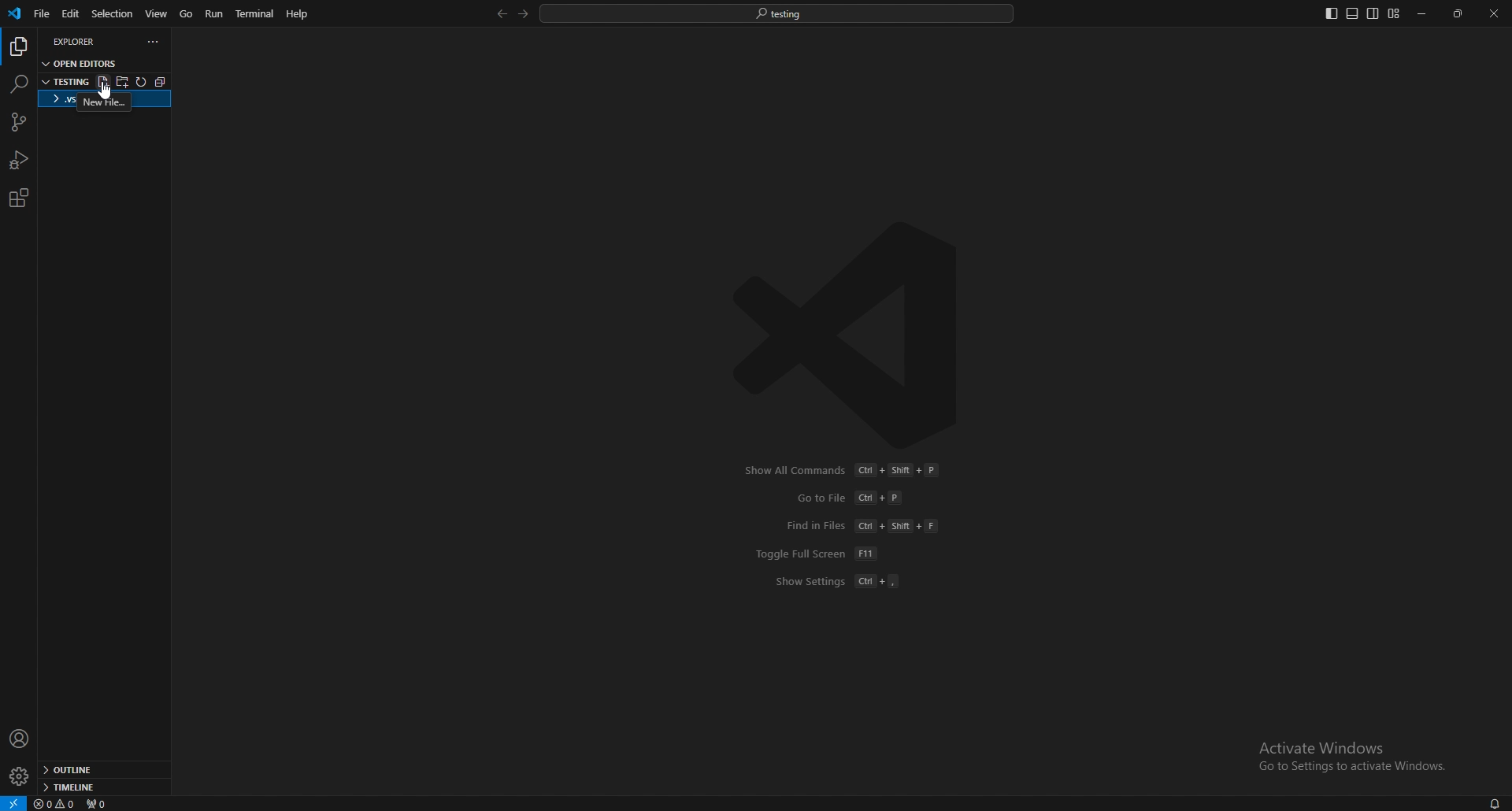  I want to click on selection, so click(112, 13).